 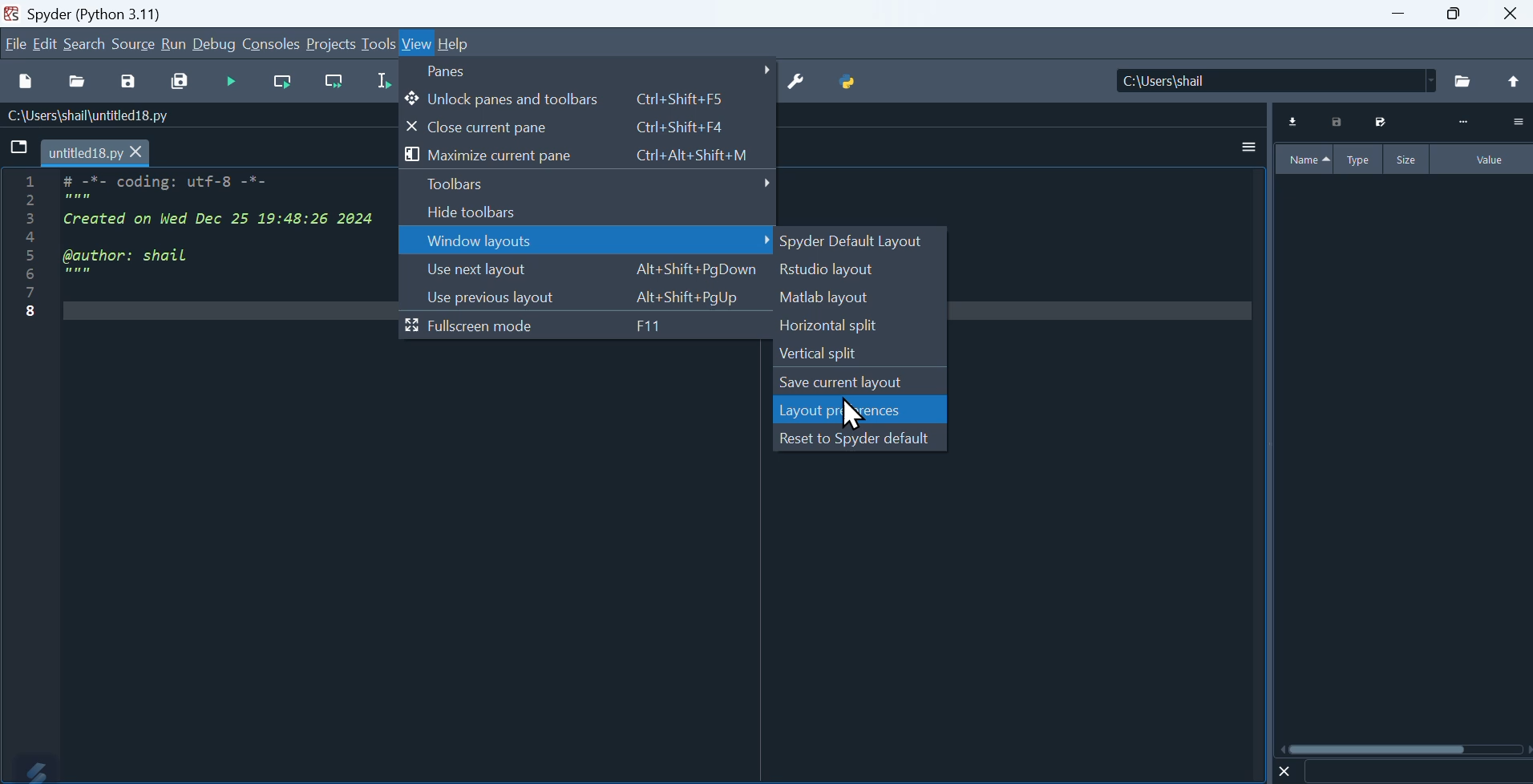 I want to click on Toolbars, so click(x=588, y=184).